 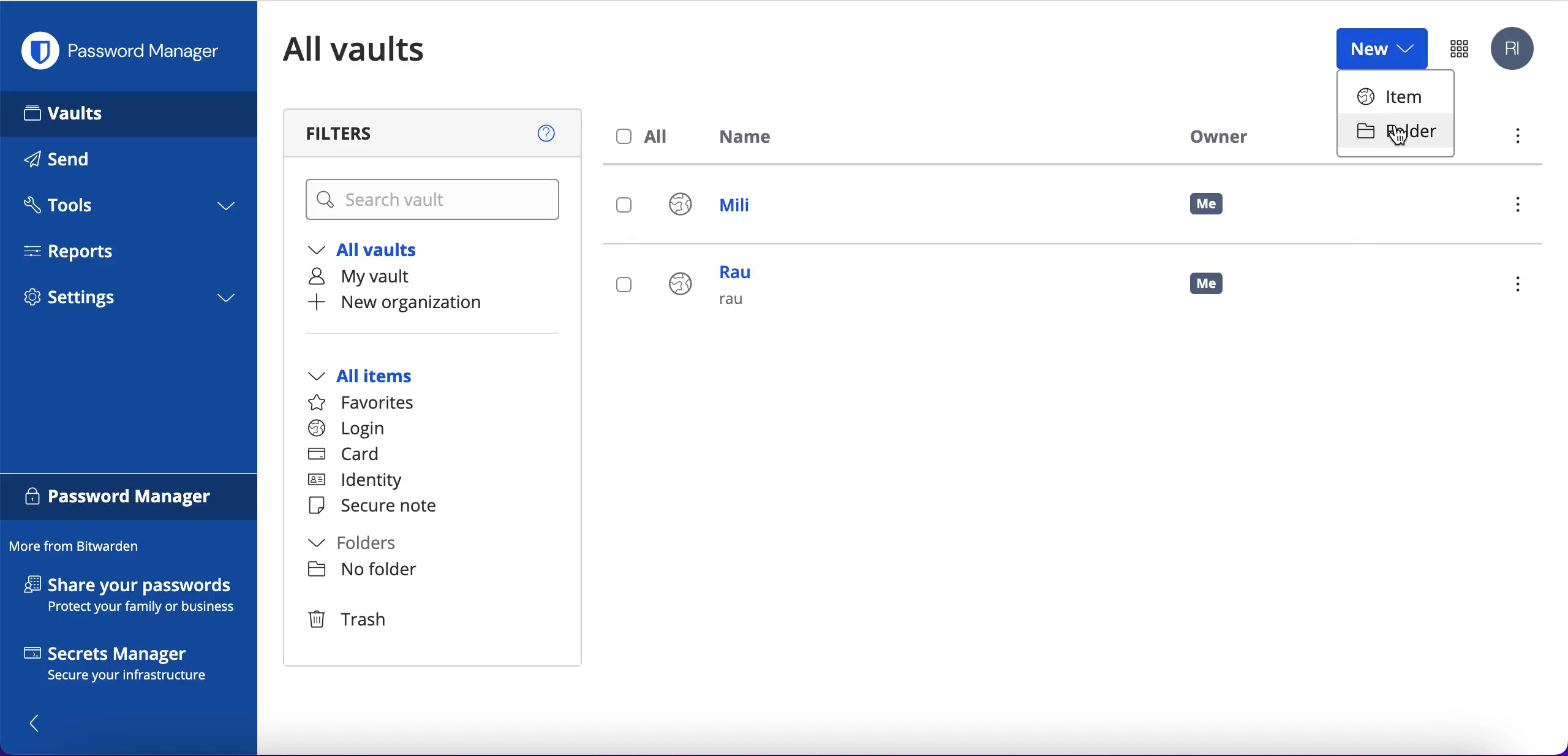 I want to click on folders, so click(x=366, y=545).